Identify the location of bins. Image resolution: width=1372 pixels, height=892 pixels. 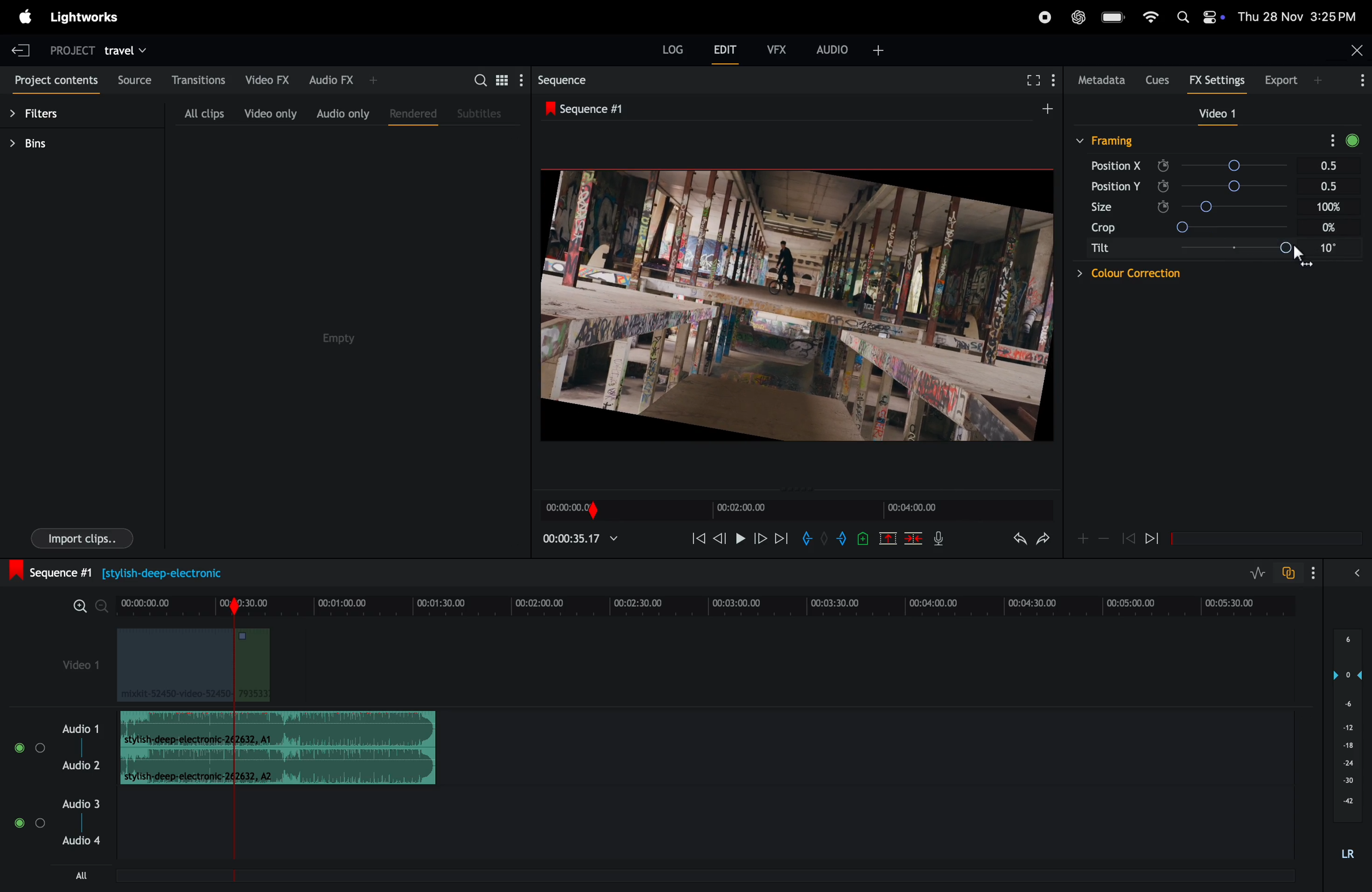
(46, 143).